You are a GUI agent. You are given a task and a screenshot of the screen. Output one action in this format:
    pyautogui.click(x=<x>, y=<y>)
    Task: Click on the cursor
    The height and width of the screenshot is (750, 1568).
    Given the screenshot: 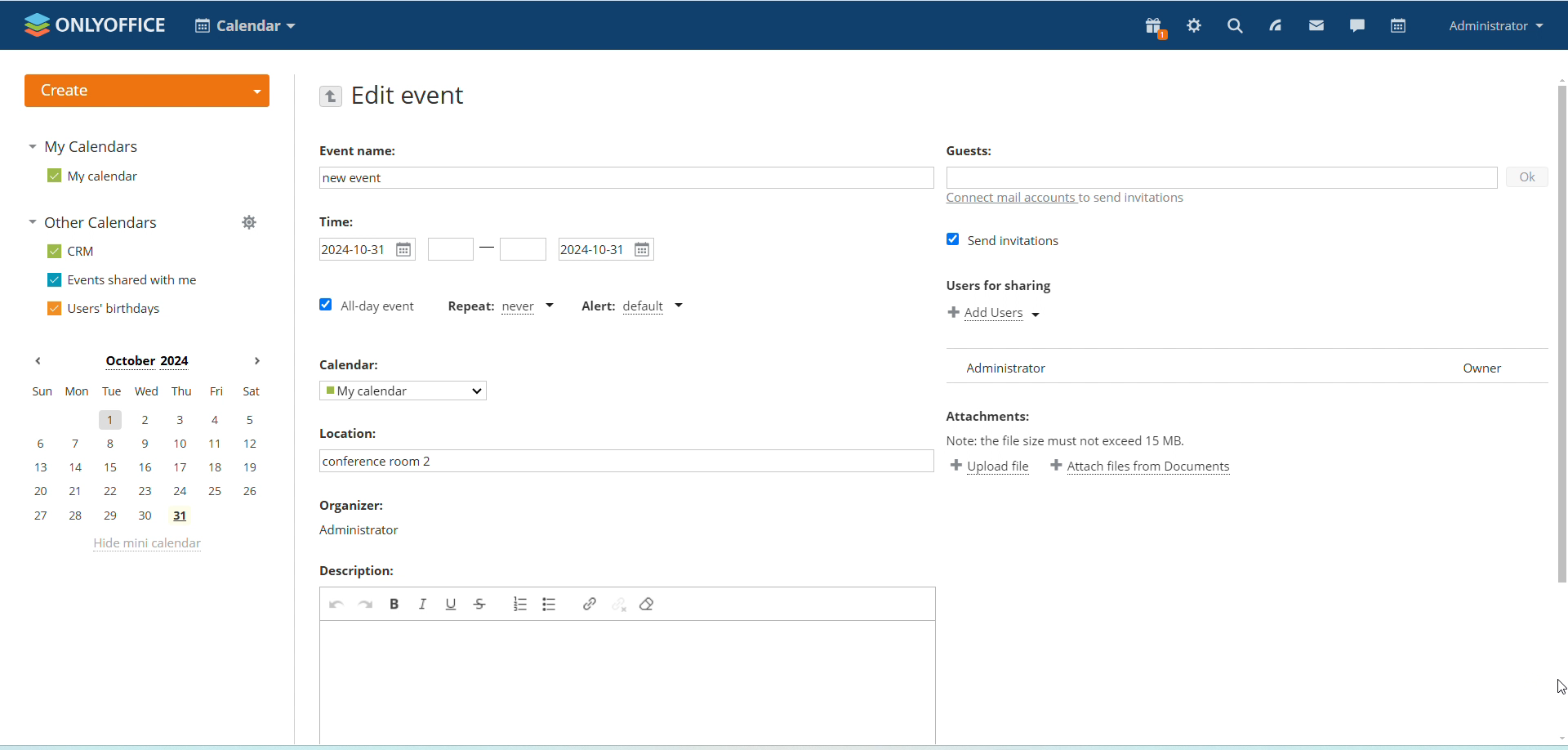 What is the action you would take?
    pyautogui.click(x=1561, y=685)
    